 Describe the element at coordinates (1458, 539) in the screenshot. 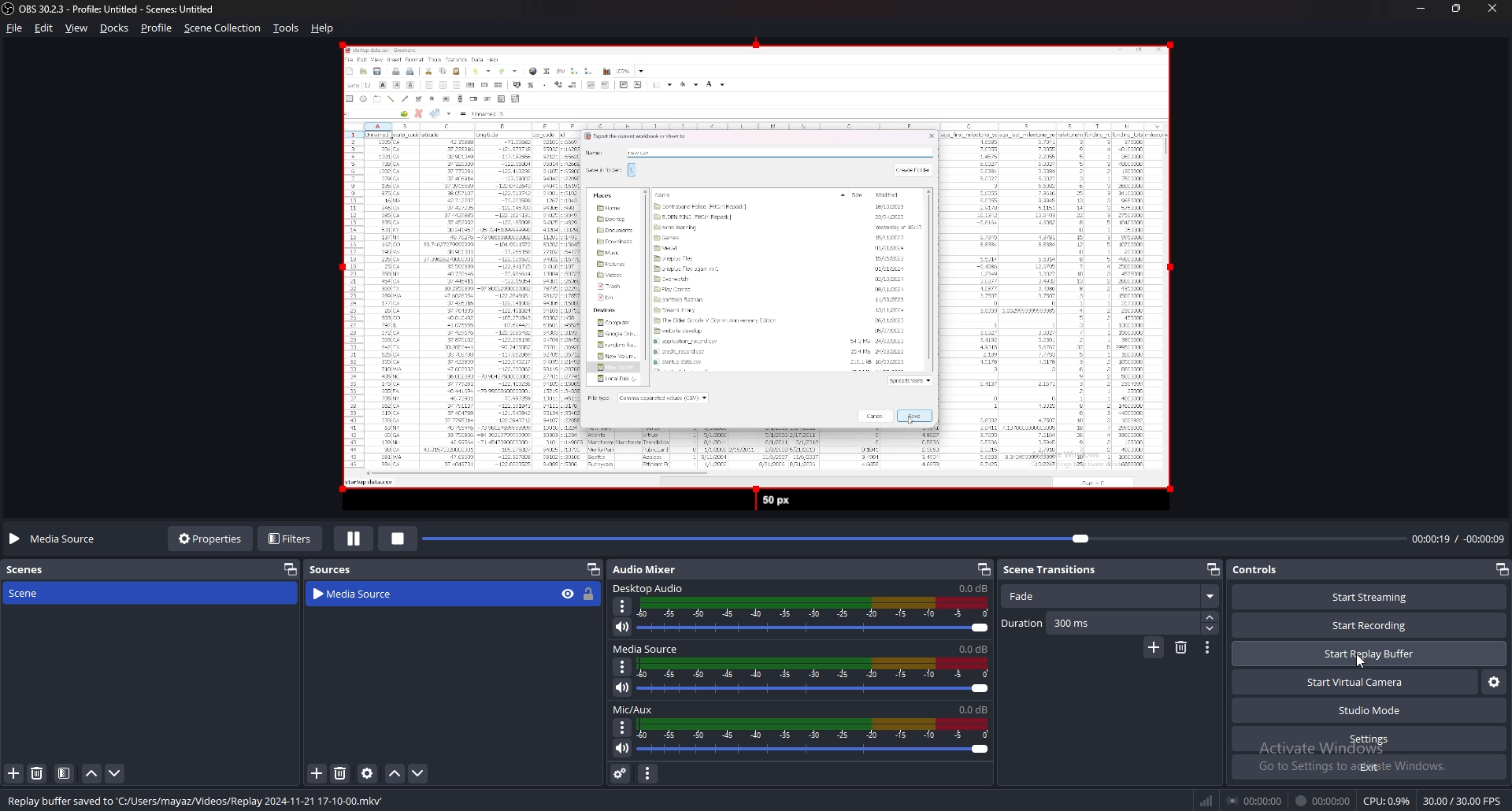

I see `00:00:05 / -00:00:23` at that location.